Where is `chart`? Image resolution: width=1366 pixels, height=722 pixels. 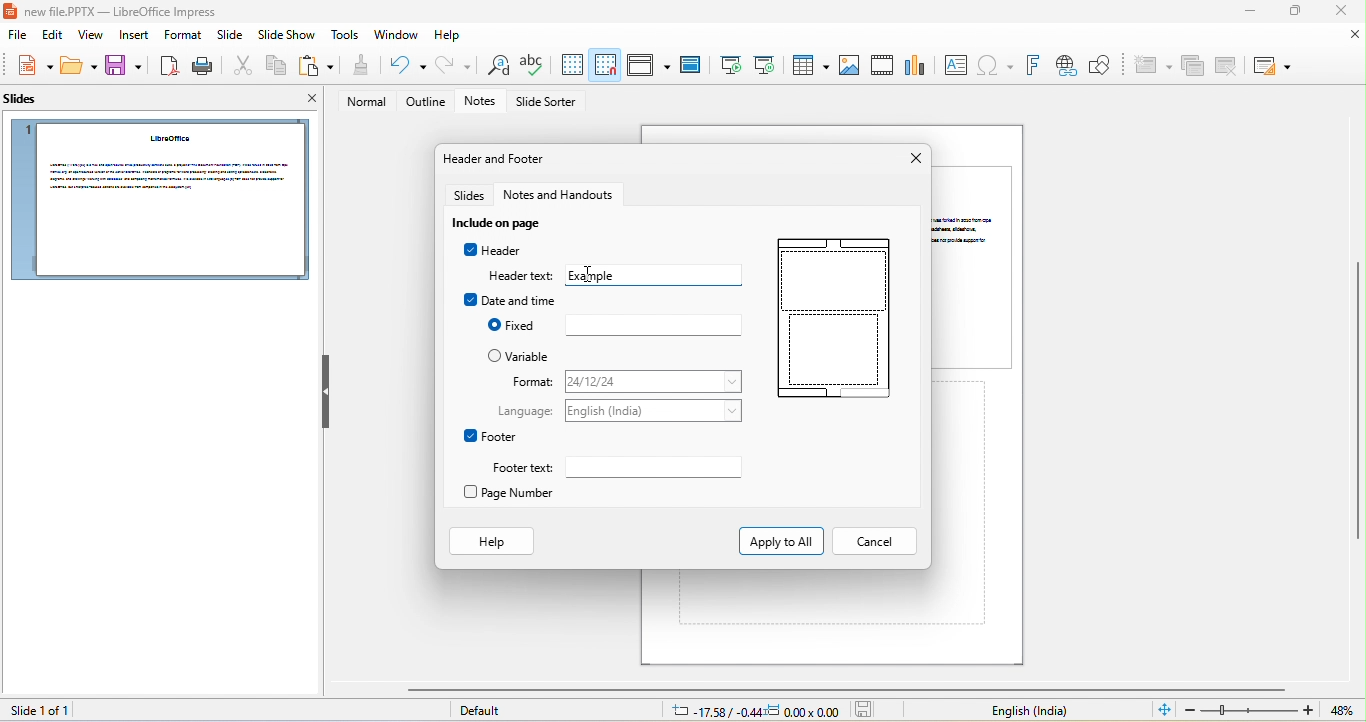 chart is located at coordinates (917, 63).